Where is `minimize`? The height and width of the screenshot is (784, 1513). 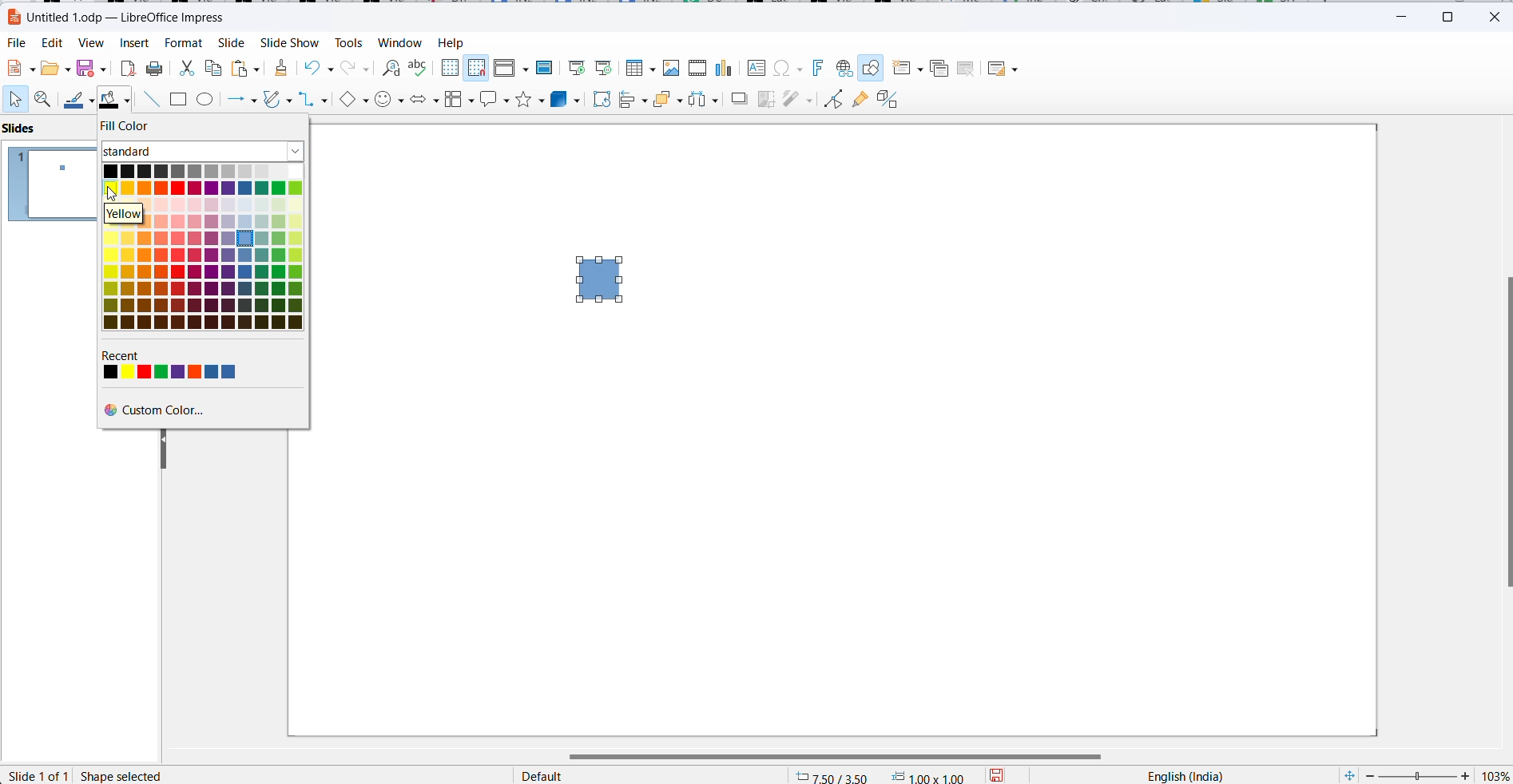 minimize is located at coordinates (1406, 14).